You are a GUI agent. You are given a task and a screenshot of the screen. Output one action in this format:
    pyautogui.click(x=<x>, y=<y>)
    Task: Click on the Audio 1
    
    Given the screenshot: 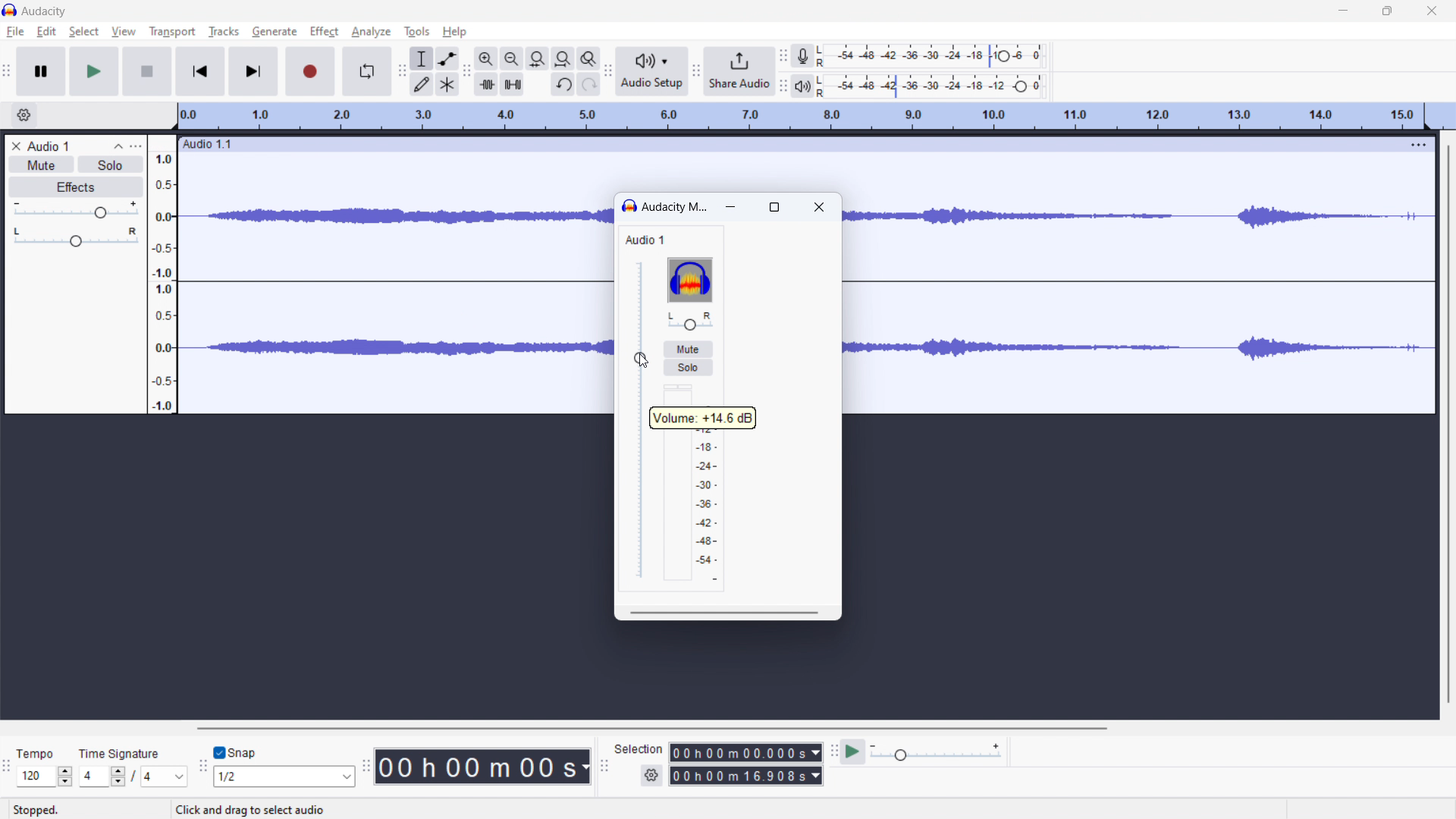 What is the action you would take?
    pyautogui.click(x=654, y=240)
    